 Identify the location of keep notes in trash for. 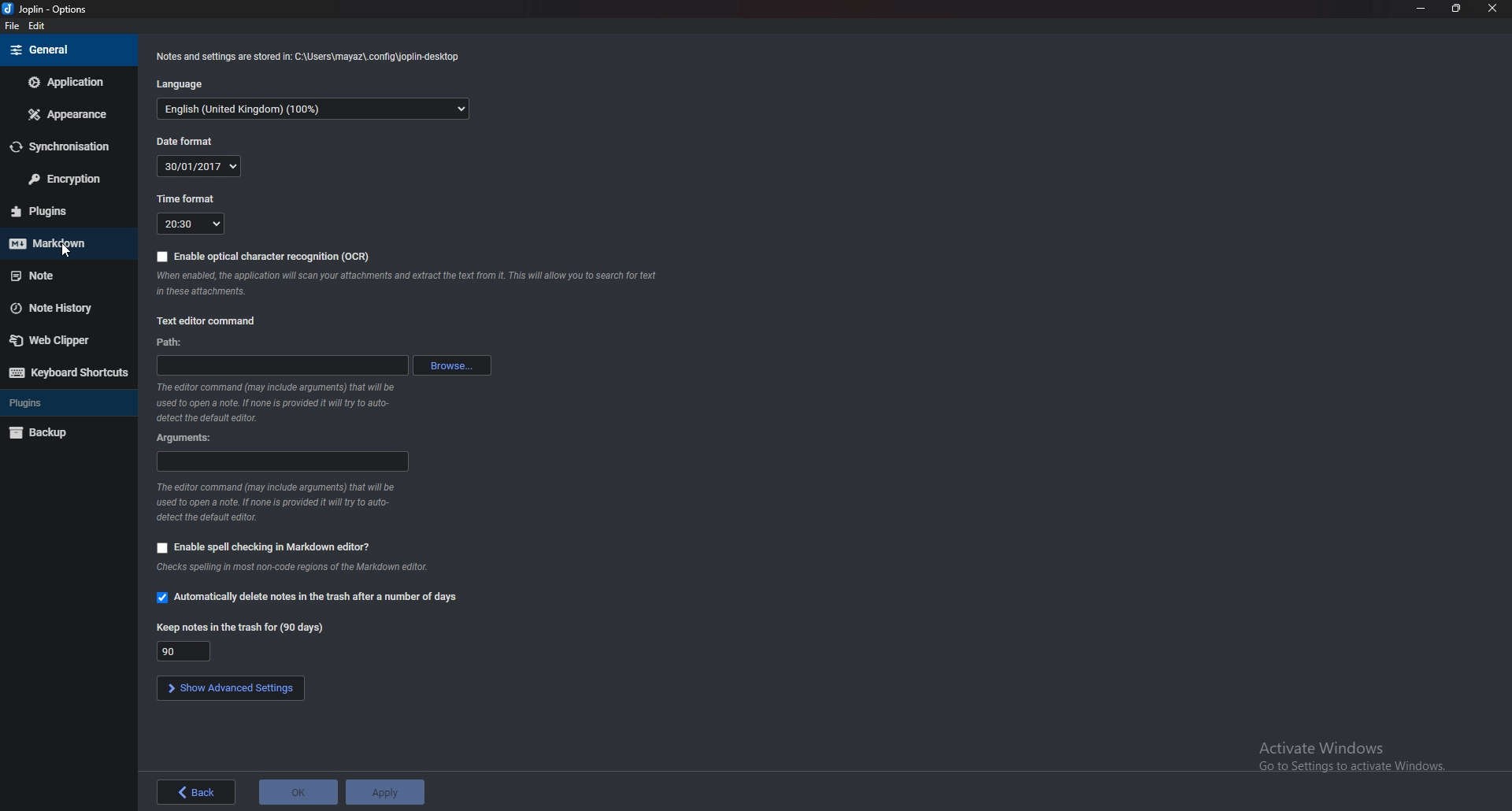
(239, 627).